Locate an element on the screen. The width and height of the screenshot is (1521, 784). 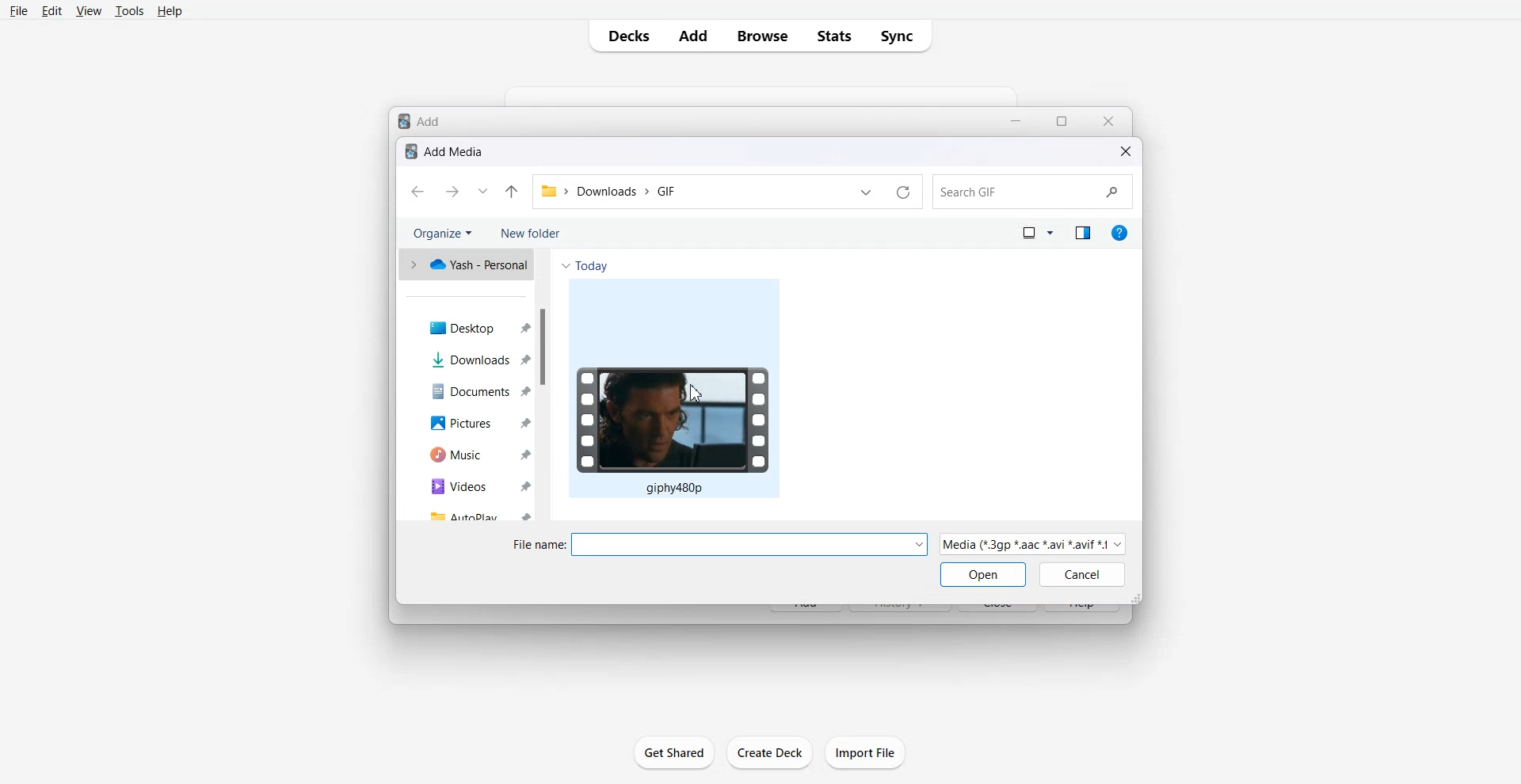
Downloads is located at coordinates (471, 360).